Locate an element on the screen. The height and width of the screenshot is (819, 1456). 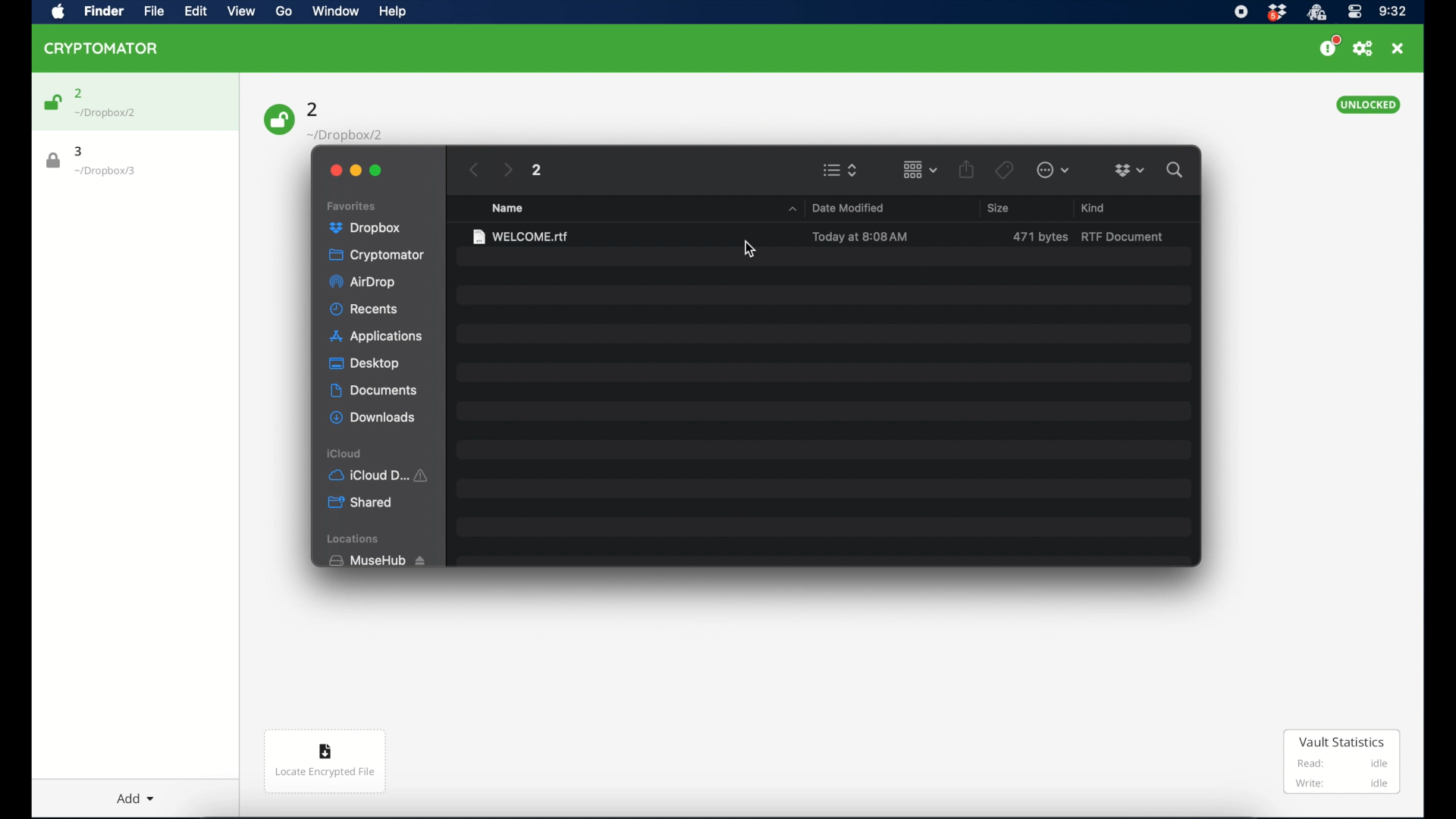
iCloud drive is located at coordinates (380, 476).